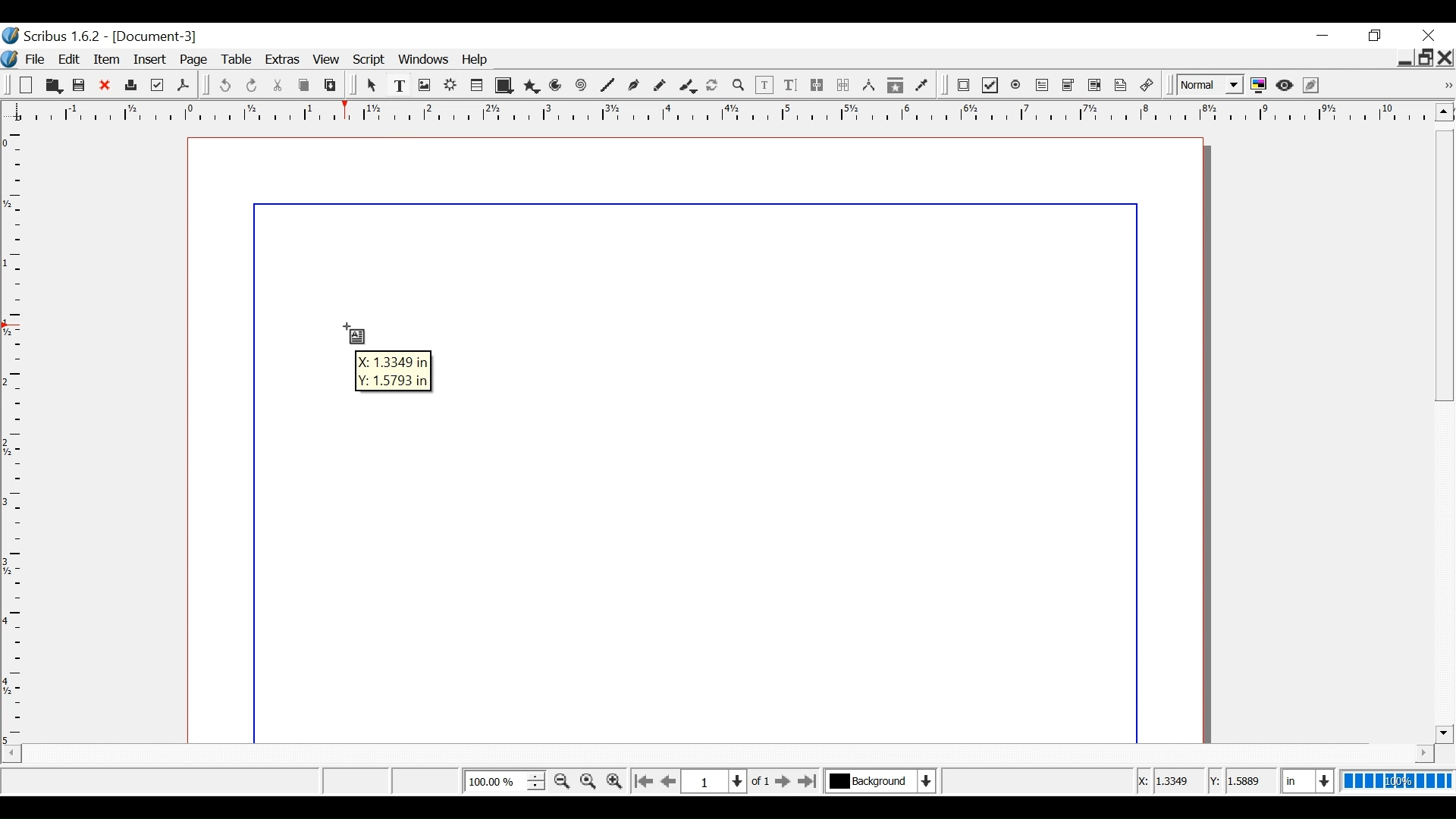  Describe the element at coordinates (451, 86) in the screenshot. I see `Render frame` at that location.